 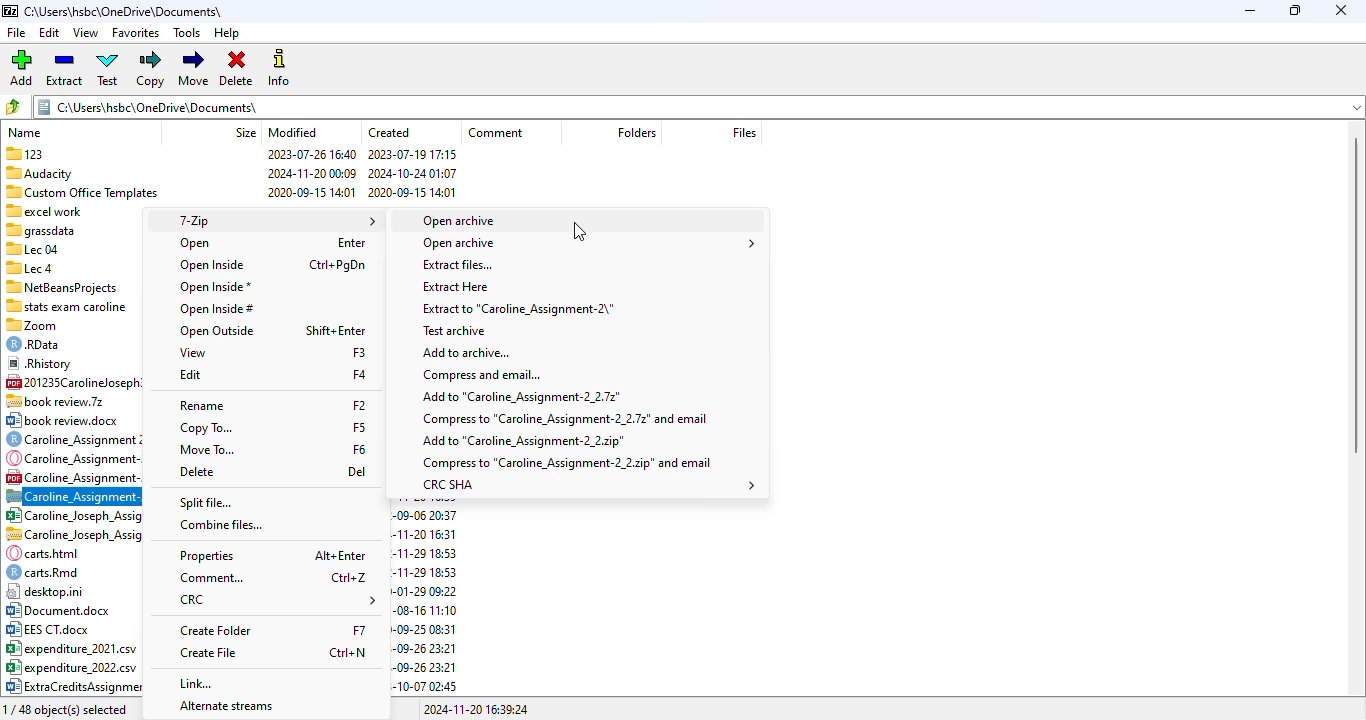 What do you see at coordinates (587, 243) in the screenshot?
I see `open archive` at bounding box center [587, 243].